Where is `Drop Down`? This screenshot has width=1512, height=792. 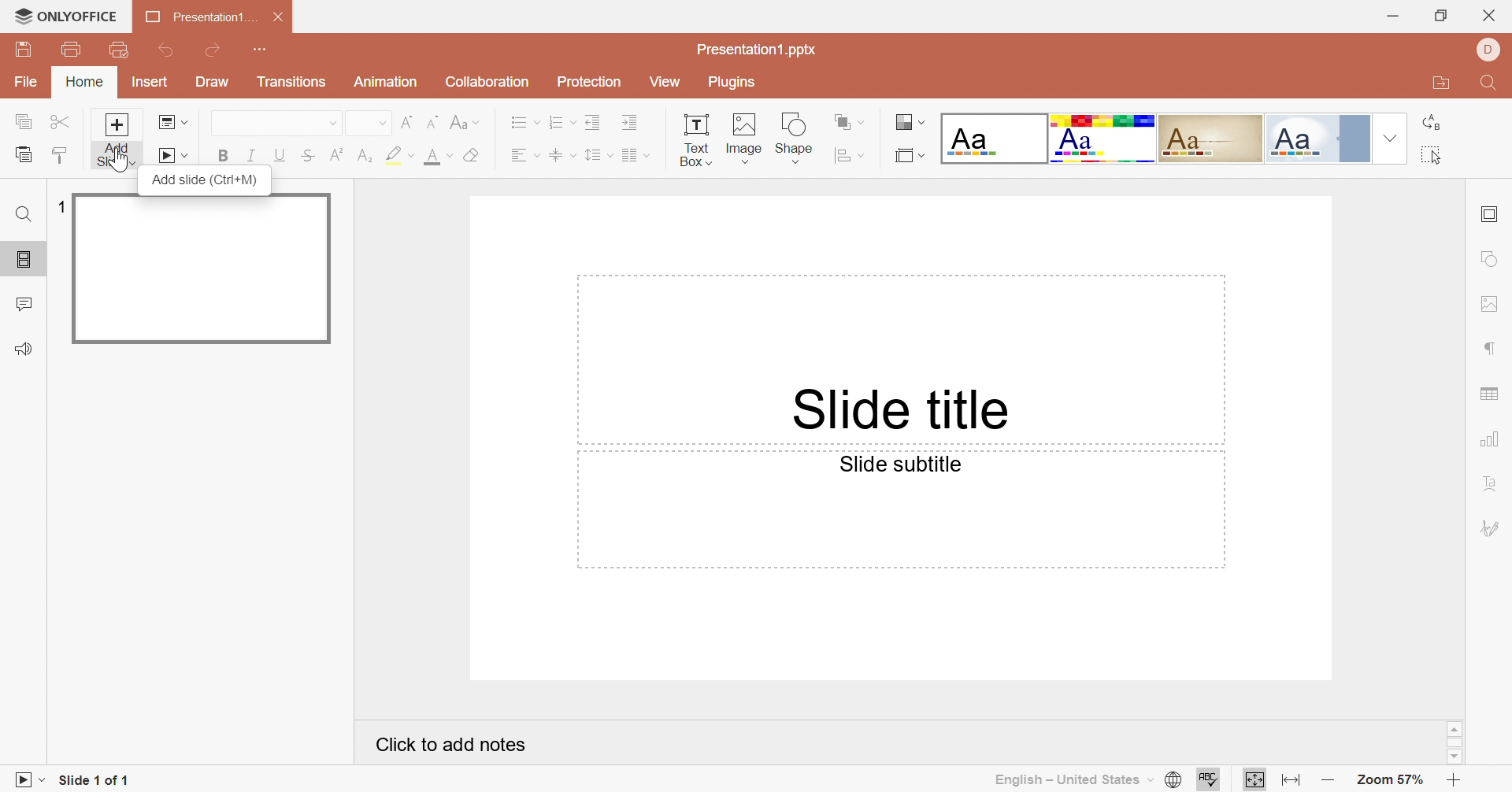 Drop Down is located at coordinates (1390, 138).